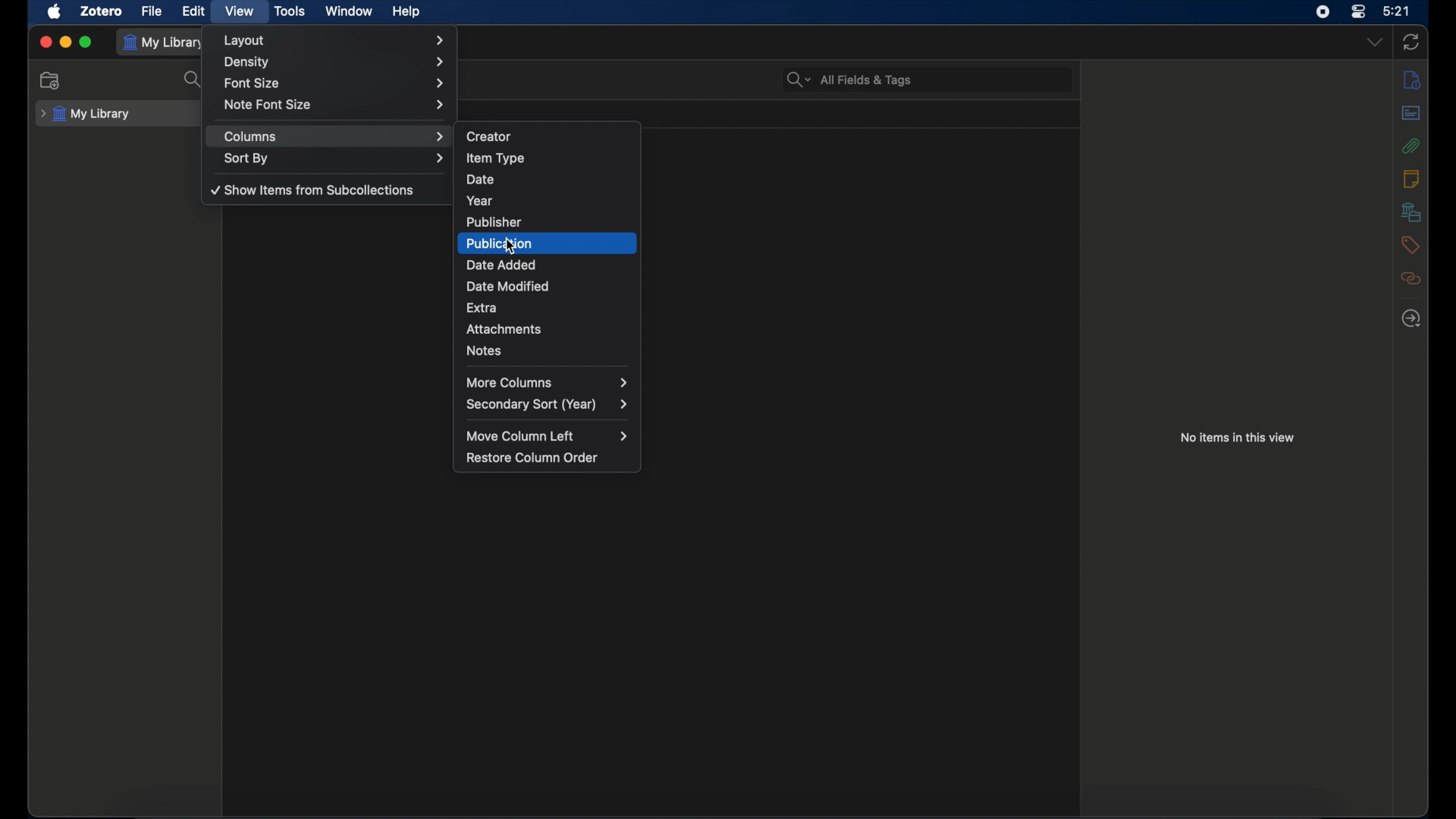  Describe the element at coordinates (551, 158) in the screenshot. I see `item type` at that location.